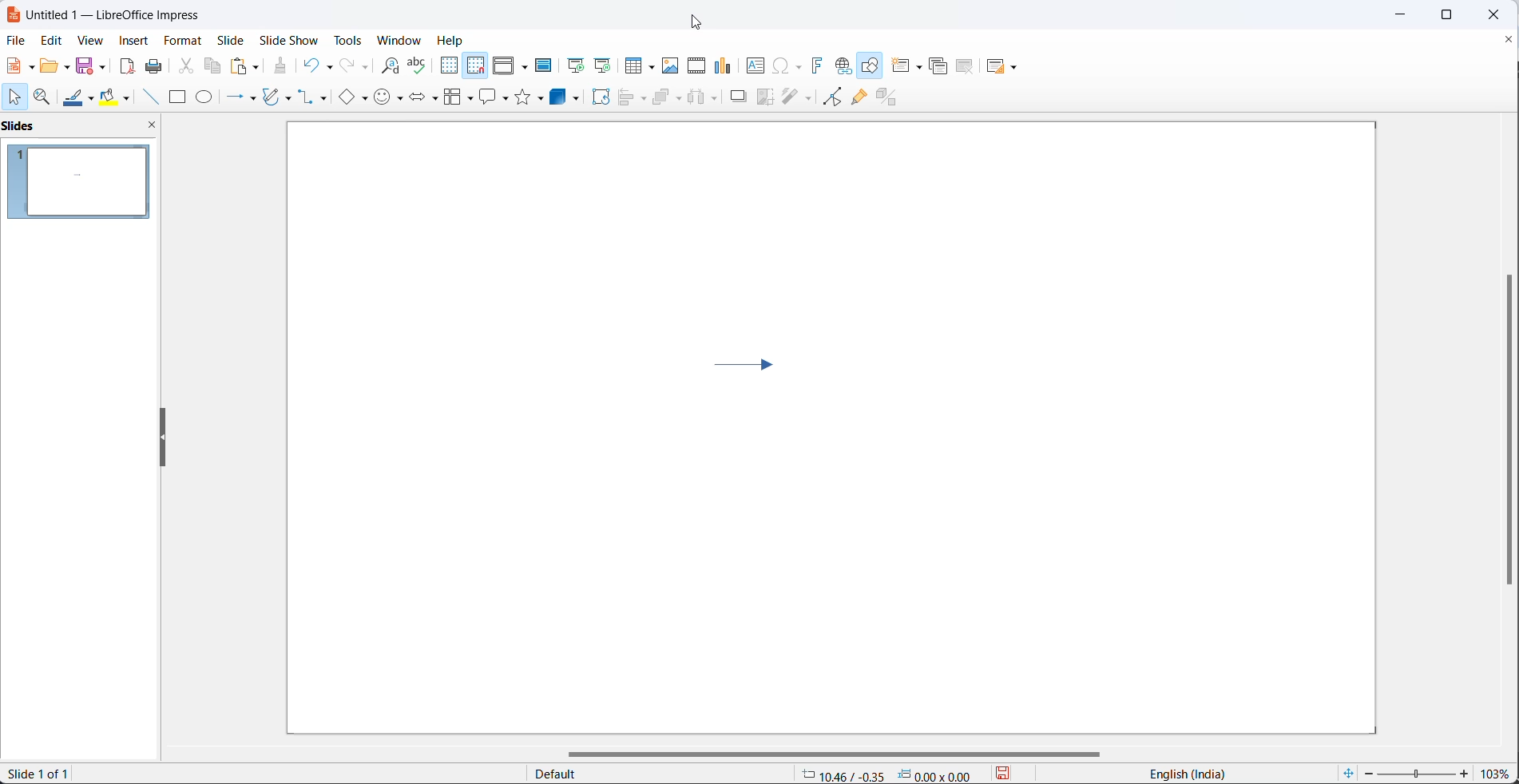  What do you see at coordinates (652, 774) in the screenshot?
I see `default page style` at bounding box center [652, 774].